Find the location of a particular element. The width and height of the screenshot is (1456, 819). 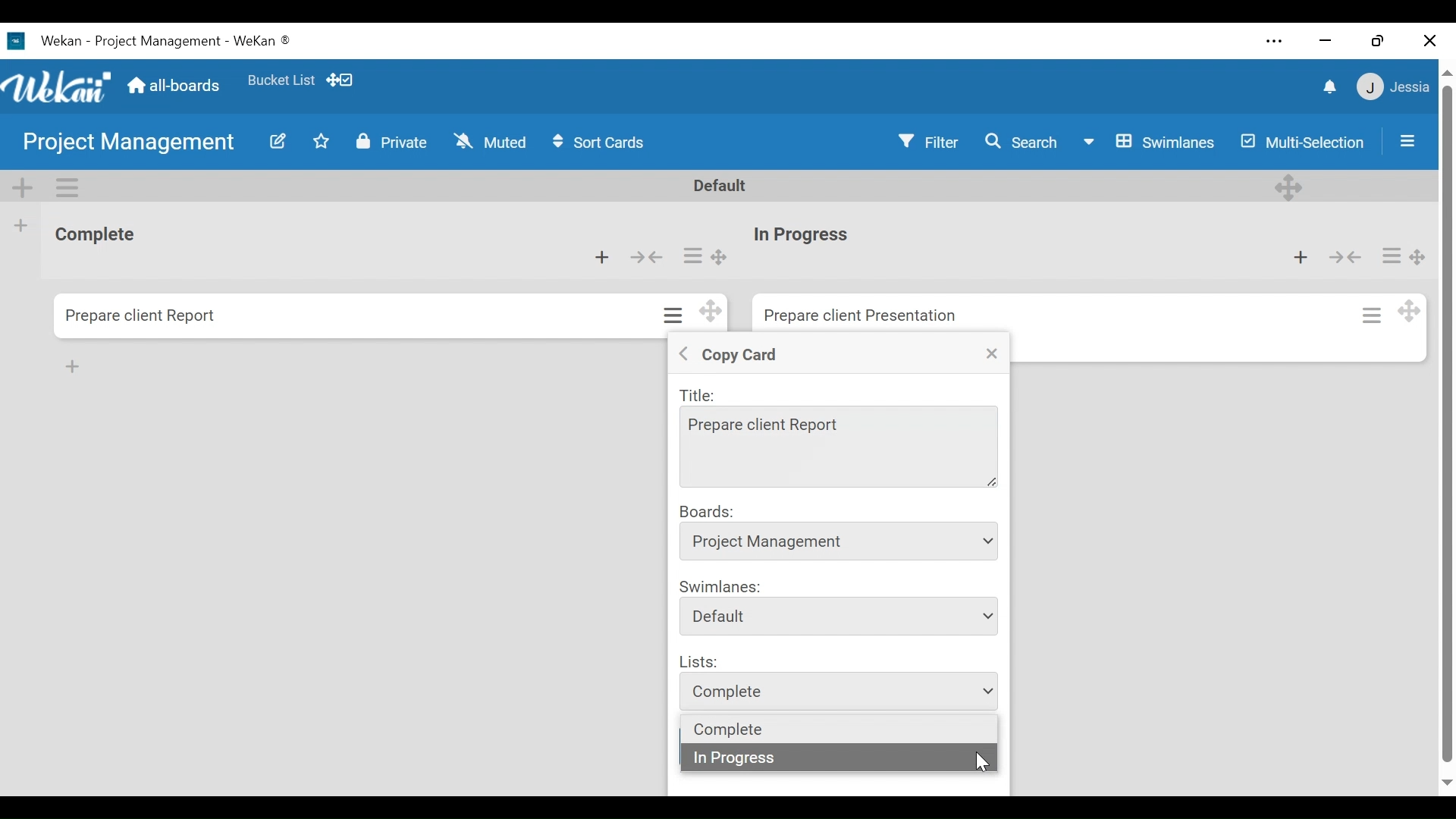

List Title is located at coordinates (102, 236).